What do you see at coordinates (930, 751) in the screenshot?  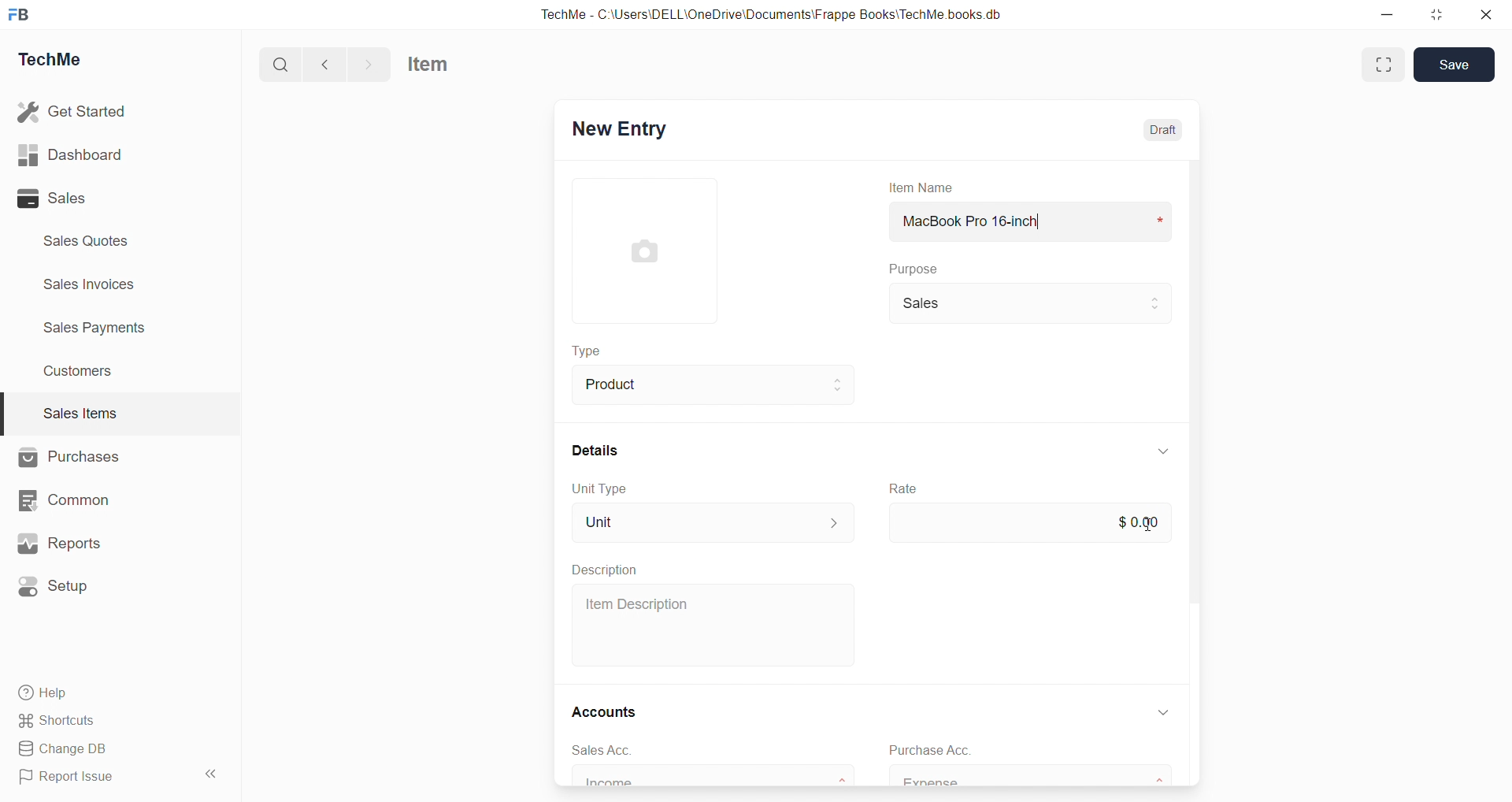 I see `Purchase Acc` at bounding box center [930, 751].